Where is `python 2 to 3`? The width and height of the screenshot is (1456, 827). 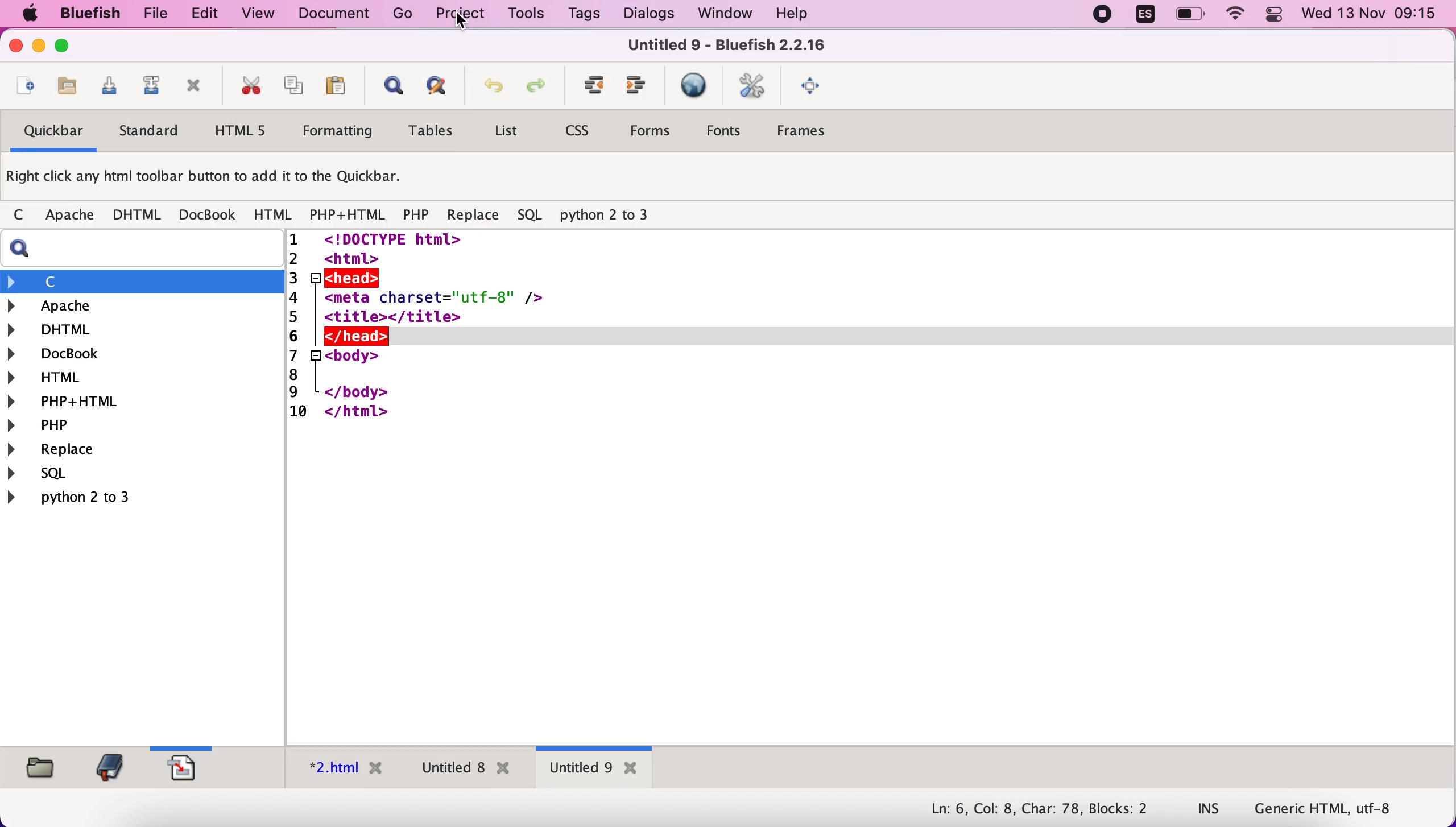 python 2 to 3 is located at coordinates (88, 497).